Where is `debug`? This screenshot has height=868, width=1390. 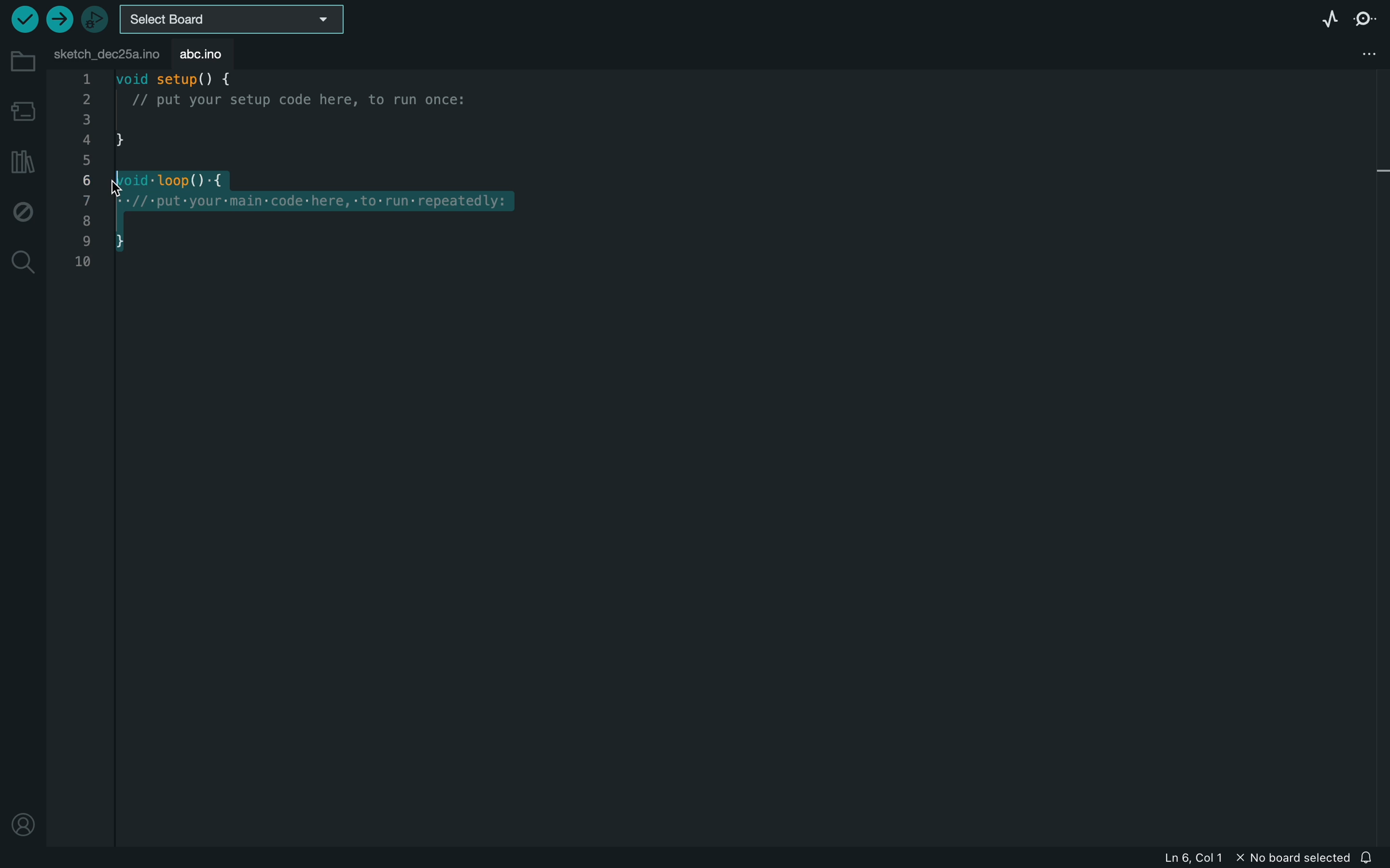 debug is located at coordinates (22, 210).